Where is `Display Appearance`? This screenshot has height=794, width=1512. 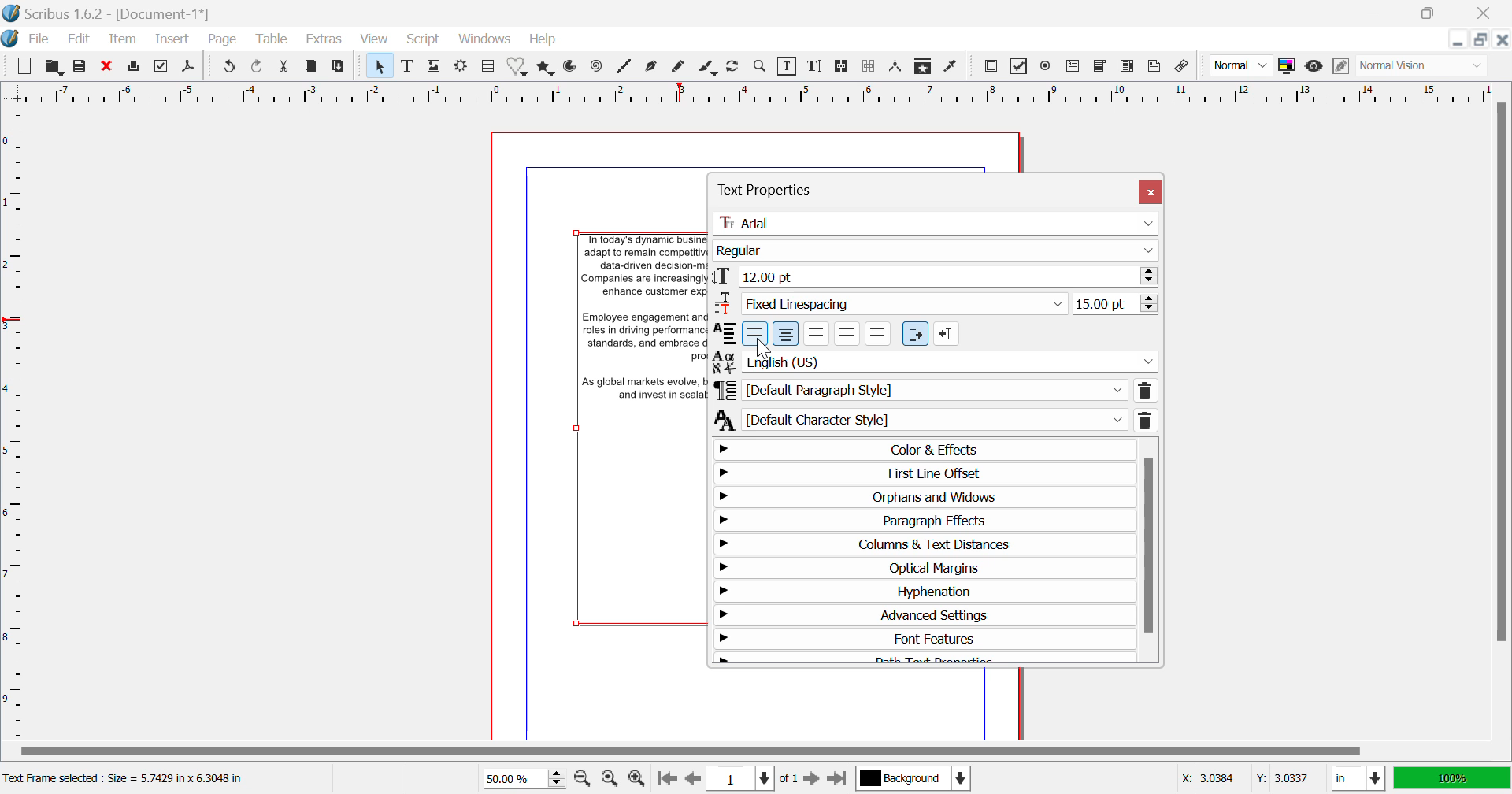 Display Appearance is located at coordinates (1454, 777).